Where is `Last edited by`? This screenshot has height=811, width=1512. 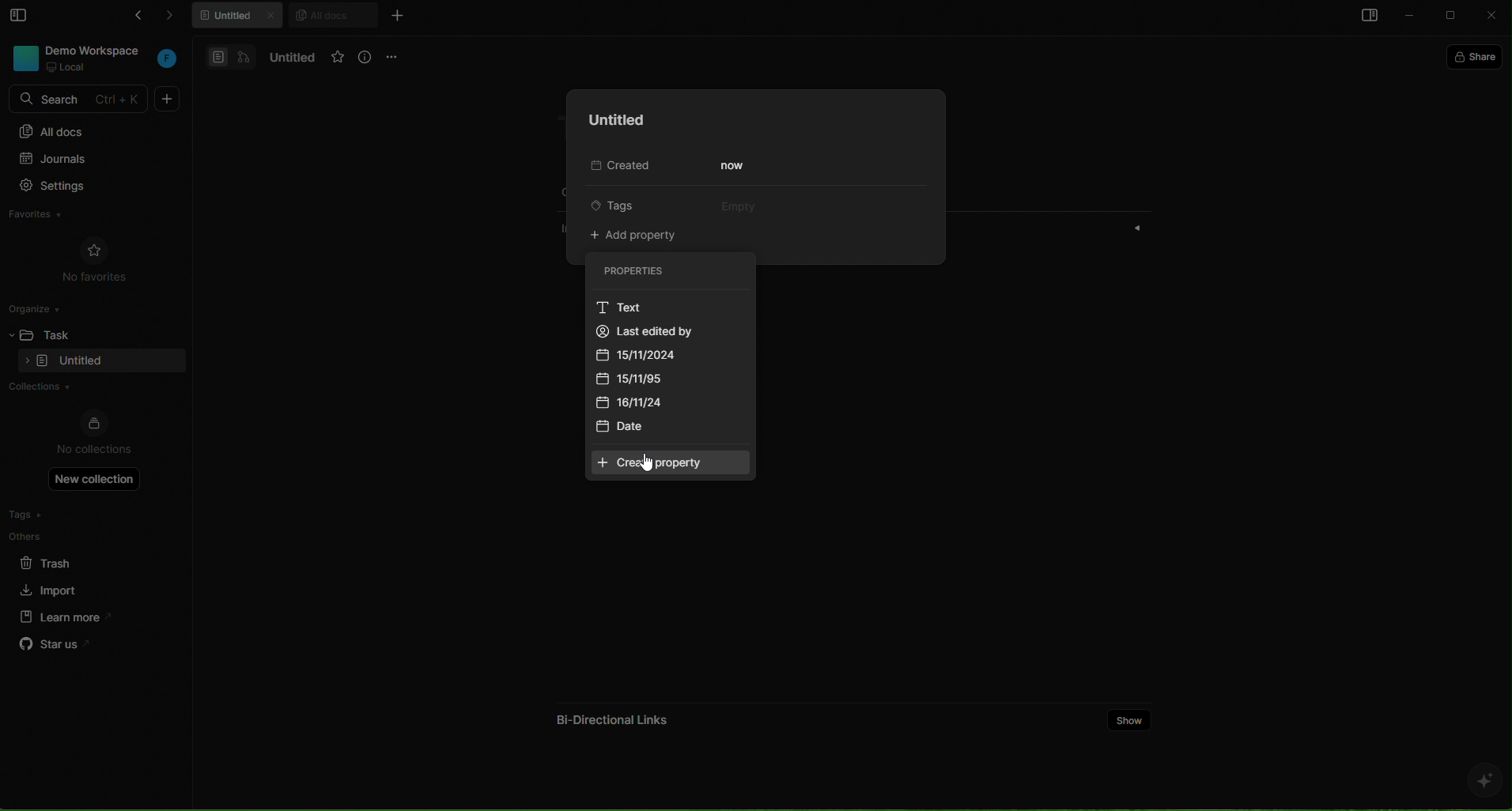
Last edited by is located at coordinates (674, 331).